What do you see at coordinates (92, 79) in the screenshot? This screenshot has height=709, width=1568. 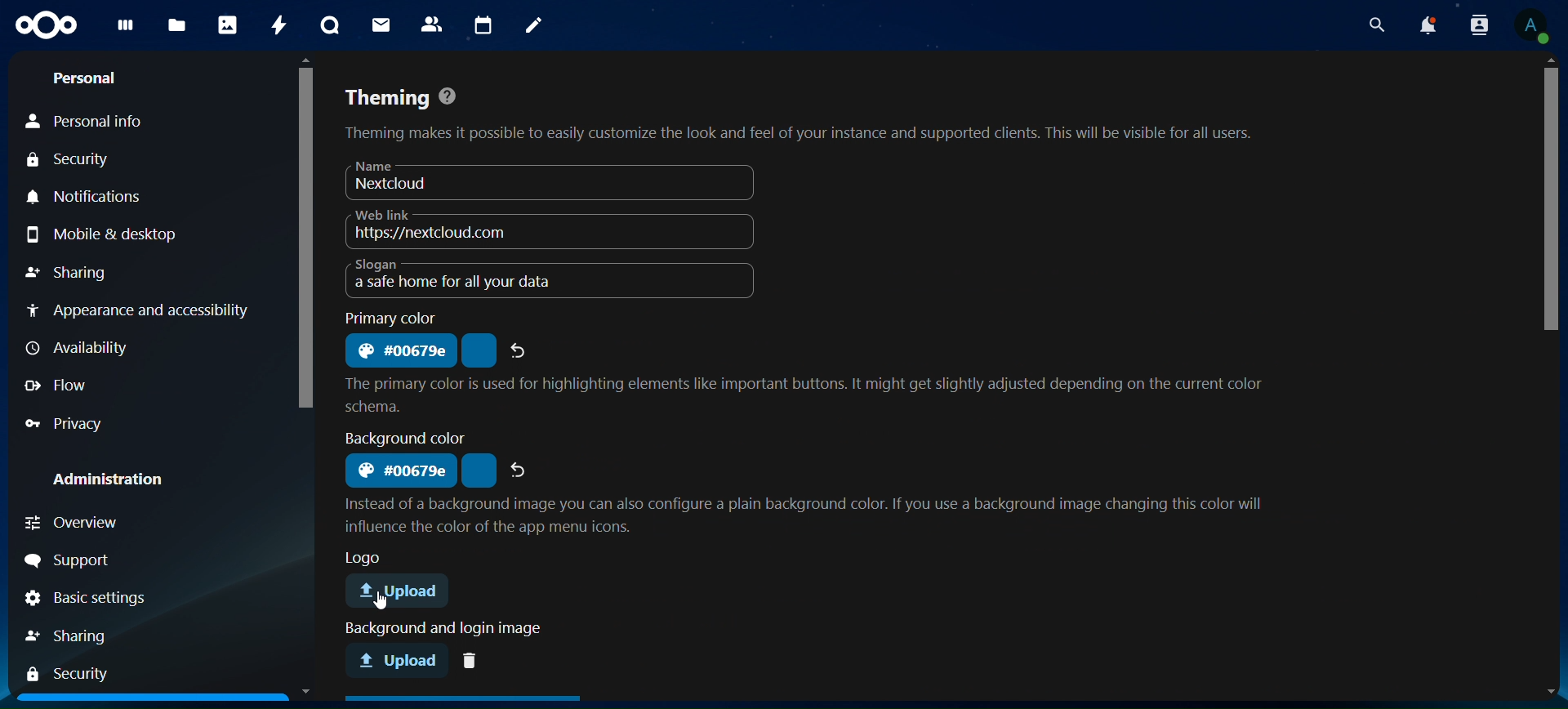 I see `personal` at bounding box center [92, 79].